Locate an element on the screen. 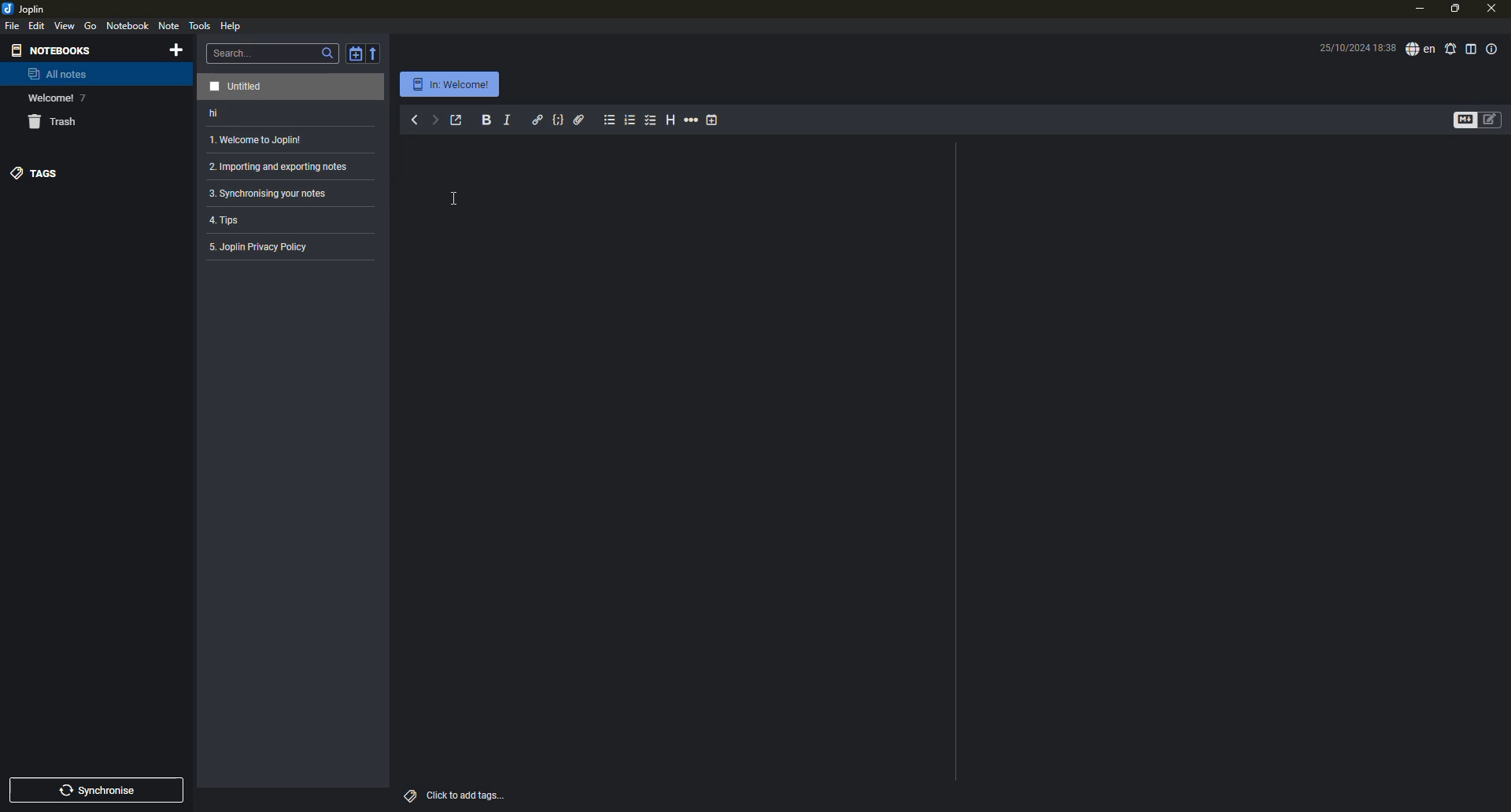 Image resolution: width=1511 pixels, height=812 pixels. synchronise is located at coordinates (102, 788).